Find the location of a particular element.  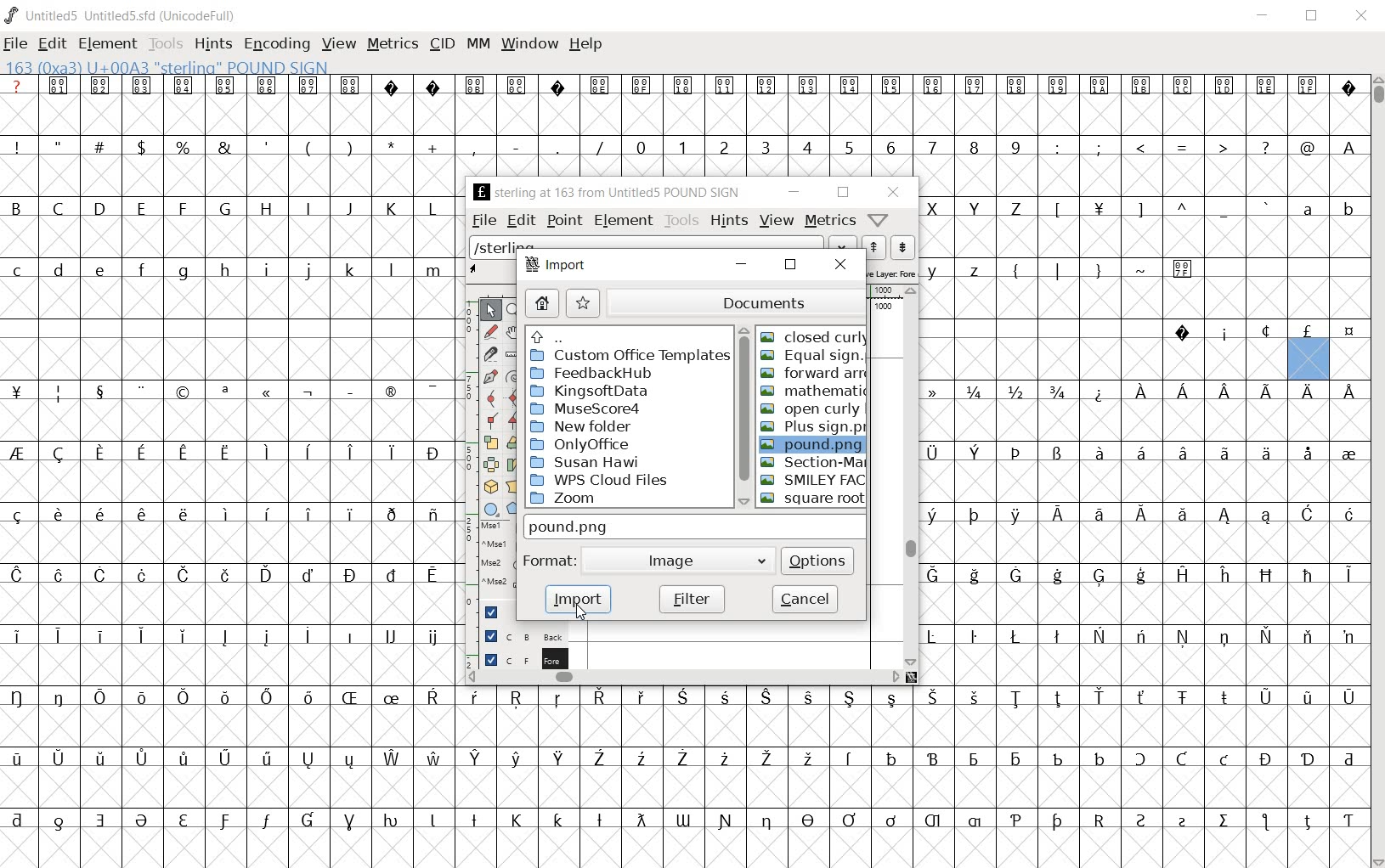

element is located at coordinates (109, 44).